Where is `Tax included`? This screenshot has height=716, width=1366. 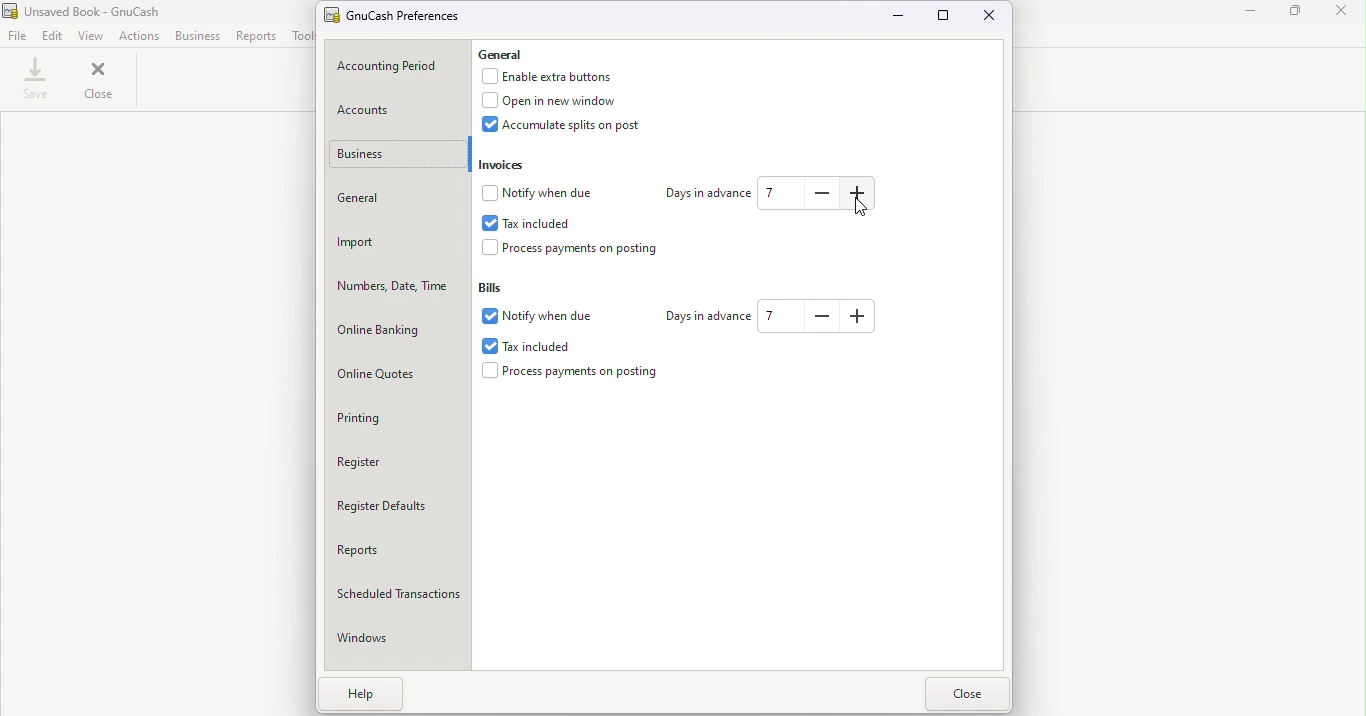
Tax included is located at coordinates (524, 223).